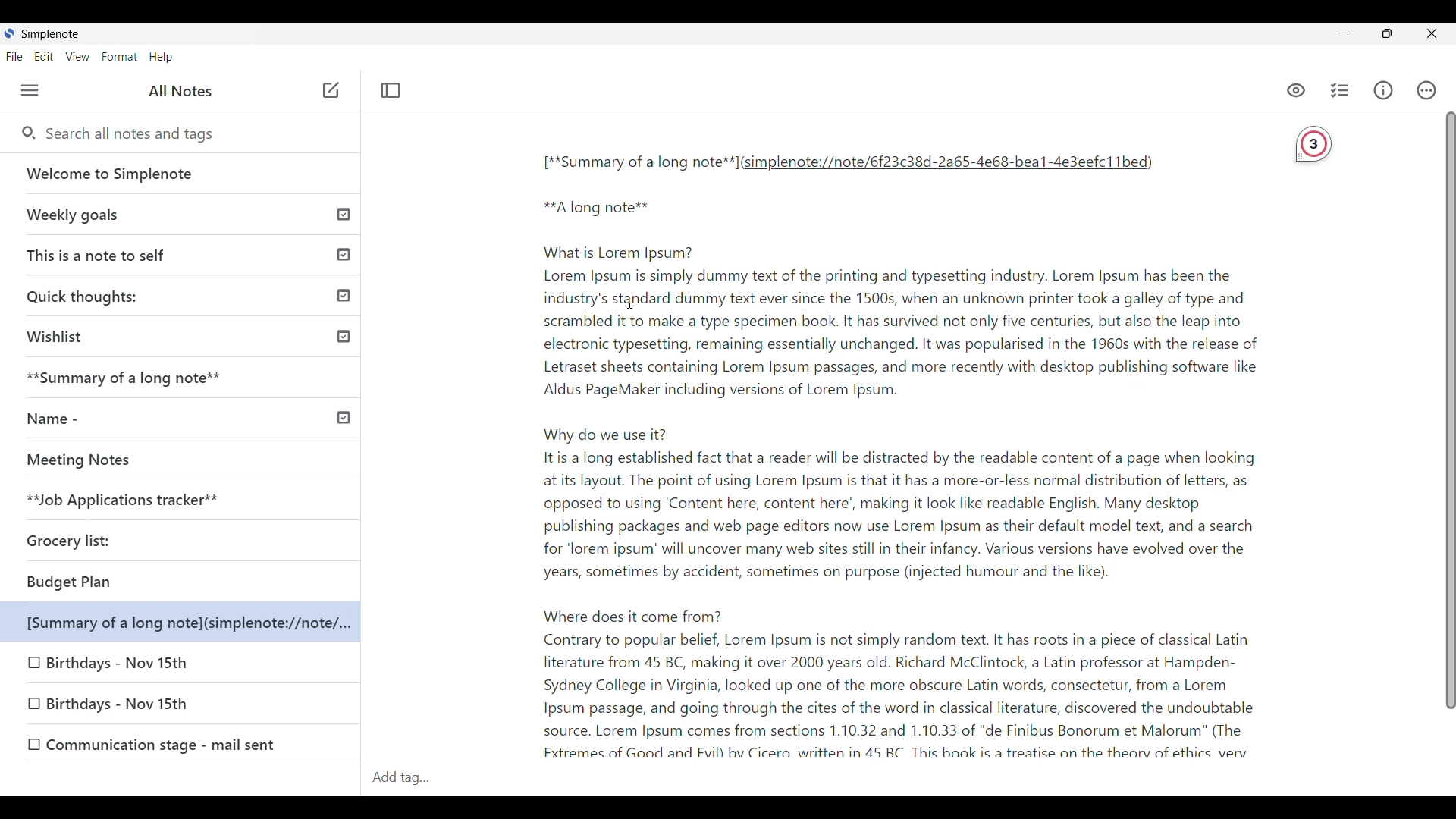  I want to click on Birthdays-Nov 15th, so click(121, 664).